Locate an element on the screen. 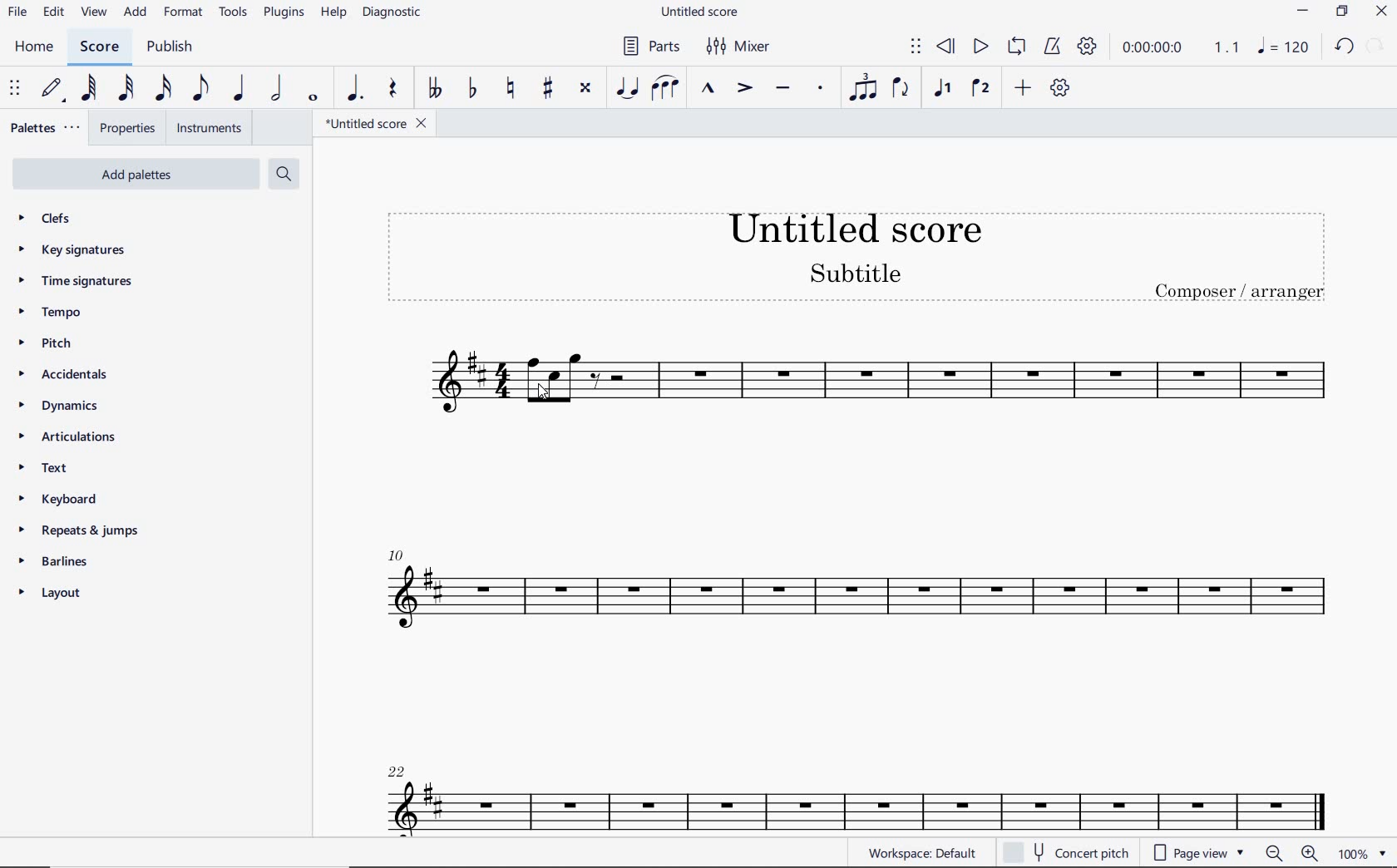 The width and height of the screenshot is (1397, 868). REPEATS & JUMPS is located at coordinates (81, 530).